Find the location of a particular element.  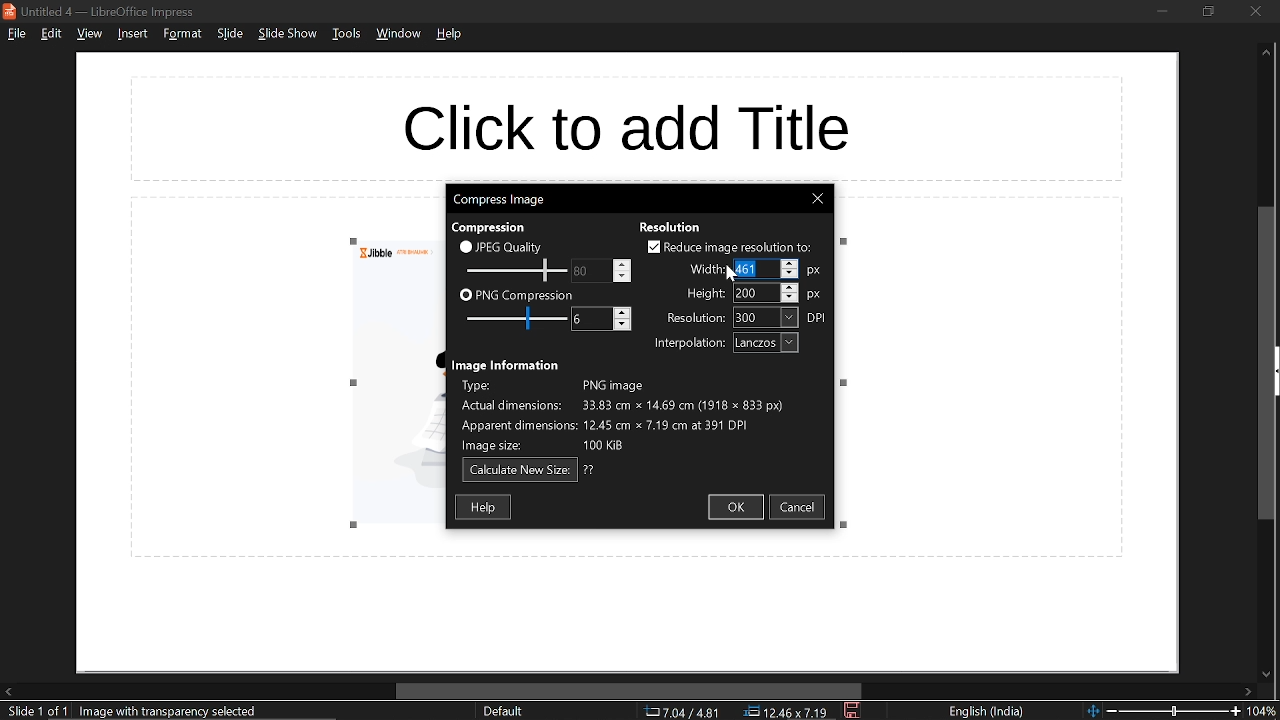

dpi is located at coordinates (819, 318).